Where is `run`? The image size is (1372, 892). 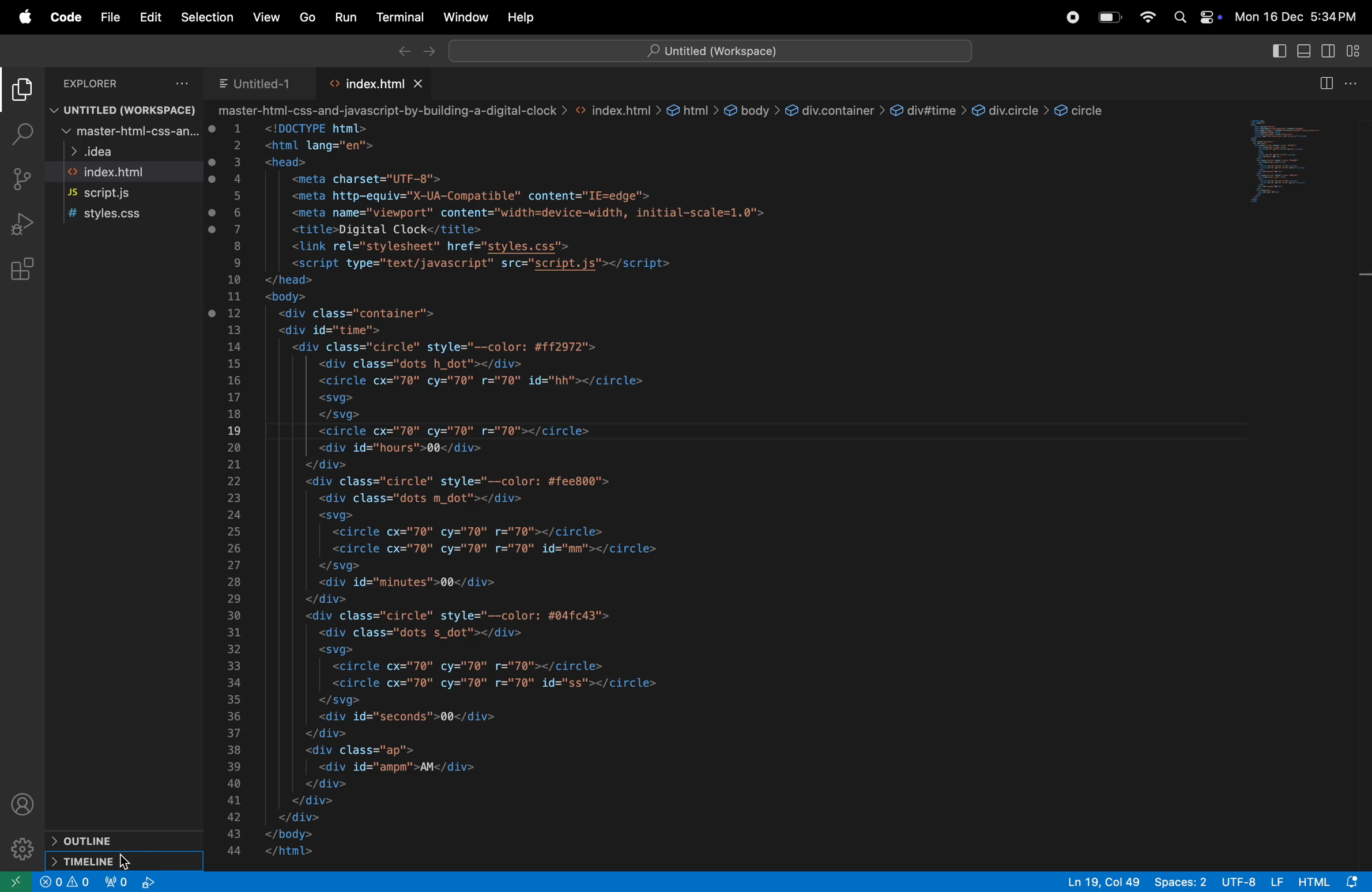
run is located at coordinates (348, 18).